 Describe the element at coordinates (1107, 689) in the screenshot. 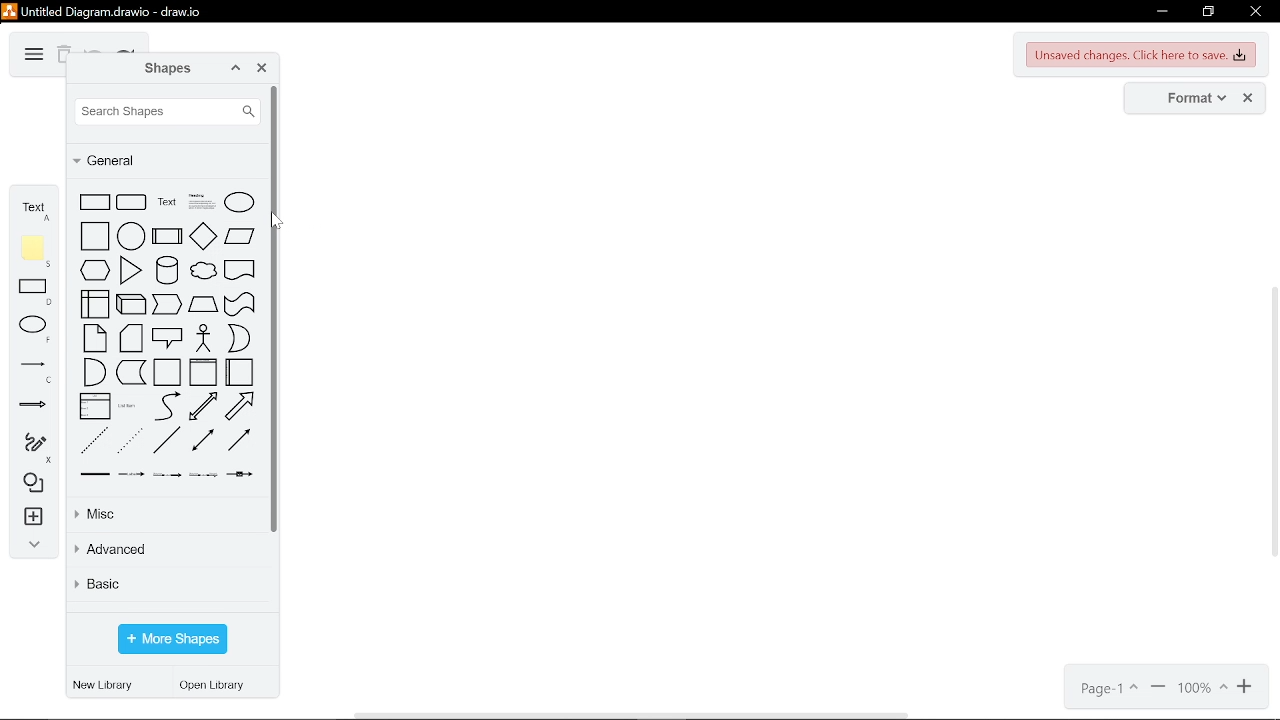

I see `page` at that location.